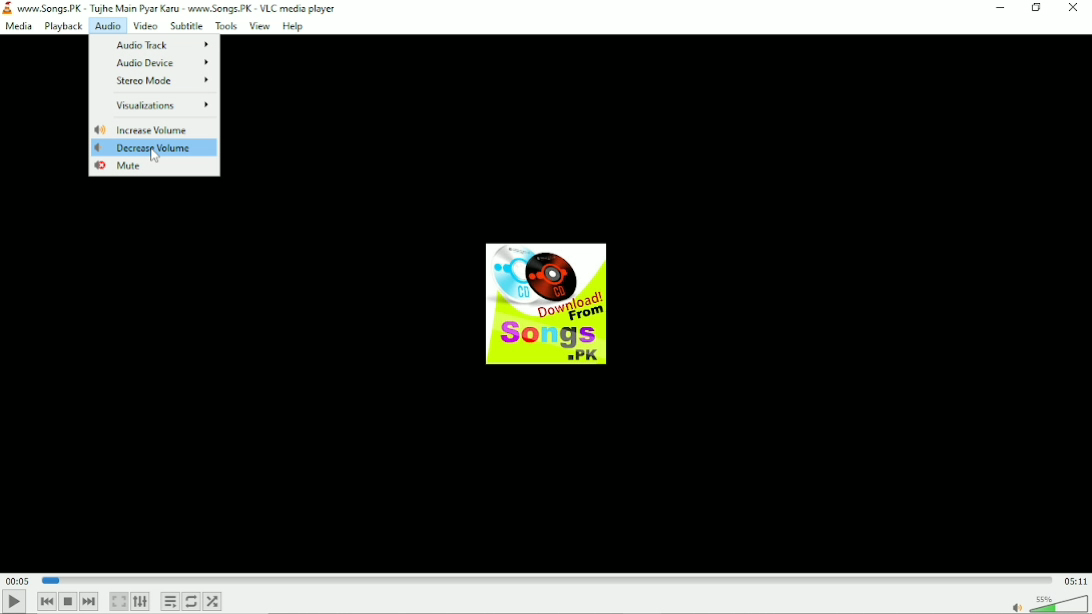 The height and width of the screenshot is (614, 1092). What do you see at coordinates (146, 148) in the screenshot?
I see `Decrease volume` at bounding box center [146, 148].